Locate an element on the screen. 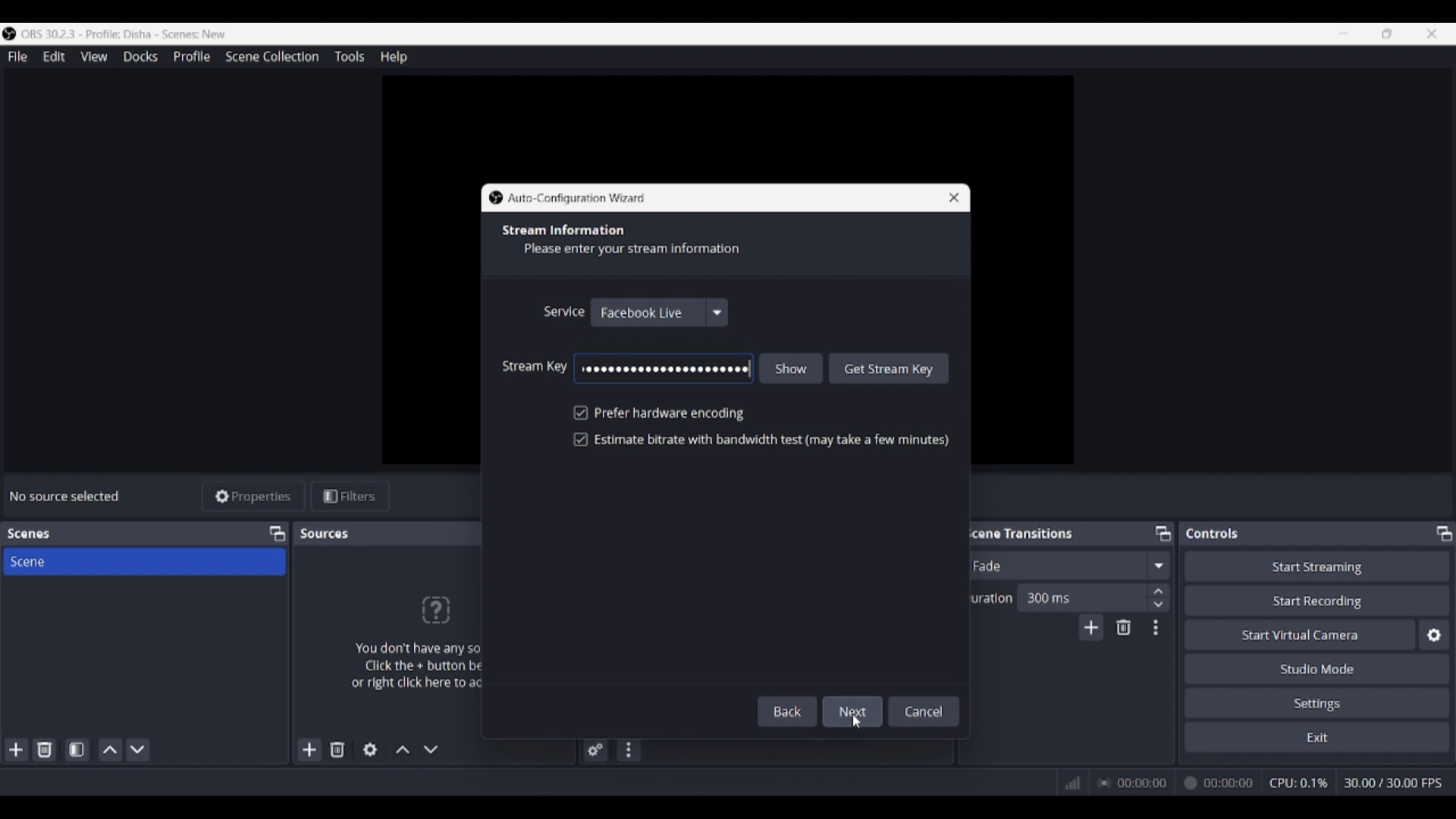 This screenshot has height=819, width=1456. Exit is located at coordinates (1317, 736).